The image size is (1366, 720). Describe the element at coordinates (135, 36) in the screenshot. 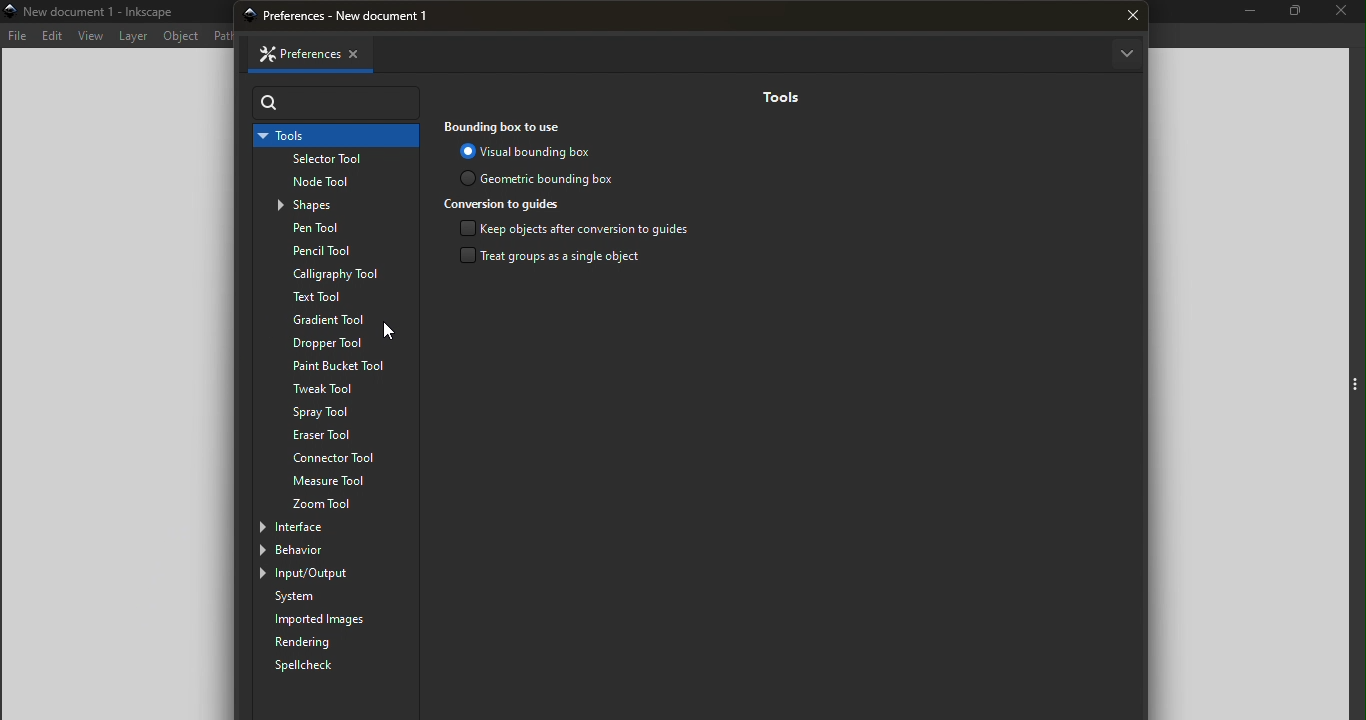

I see `Layer` at that location.